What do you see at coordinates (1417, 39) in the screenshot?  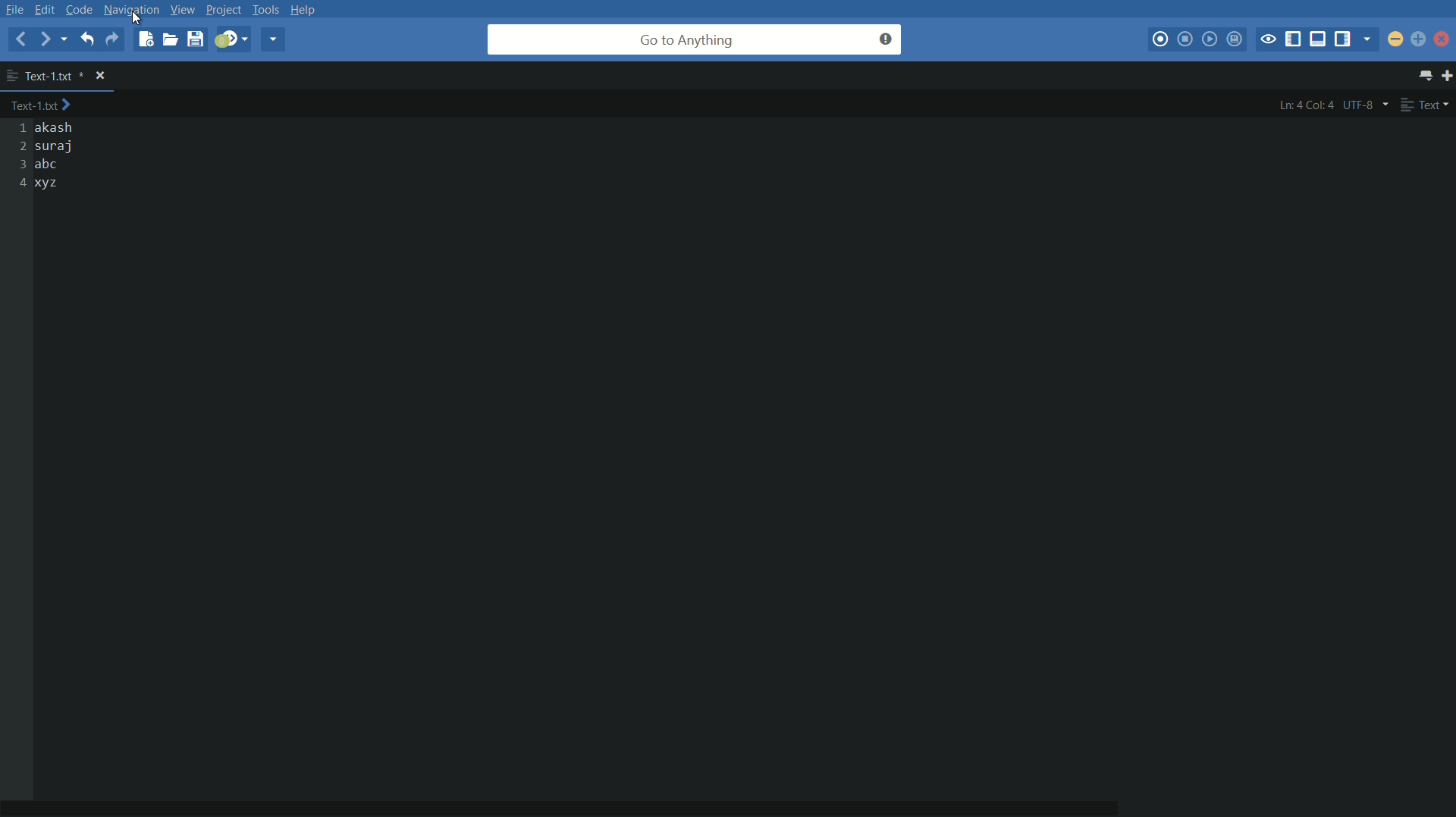 I see `maximize` at bounding box center [1417, 39].